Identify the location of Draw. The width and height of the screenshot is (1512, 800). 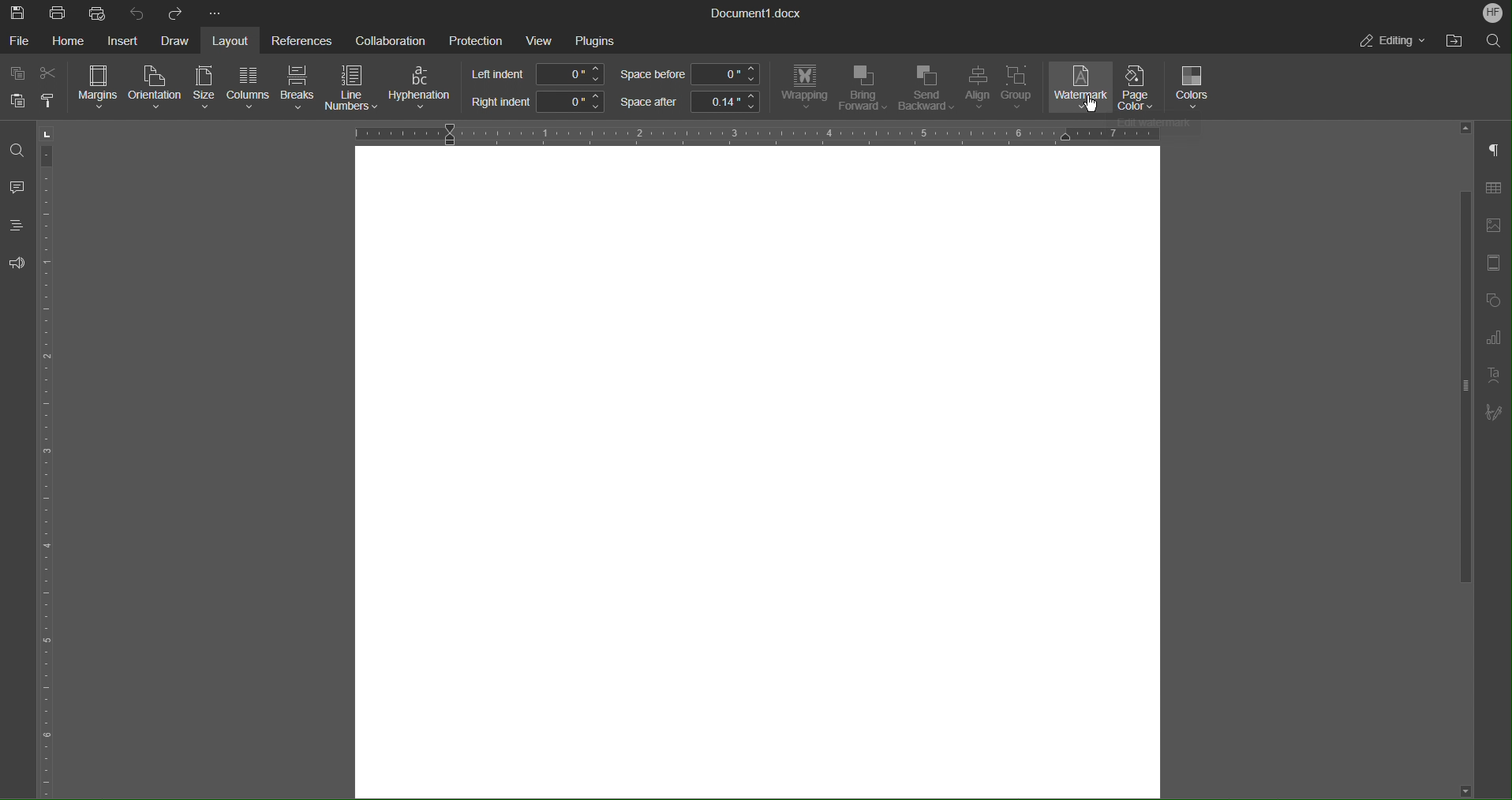
(176, 41).